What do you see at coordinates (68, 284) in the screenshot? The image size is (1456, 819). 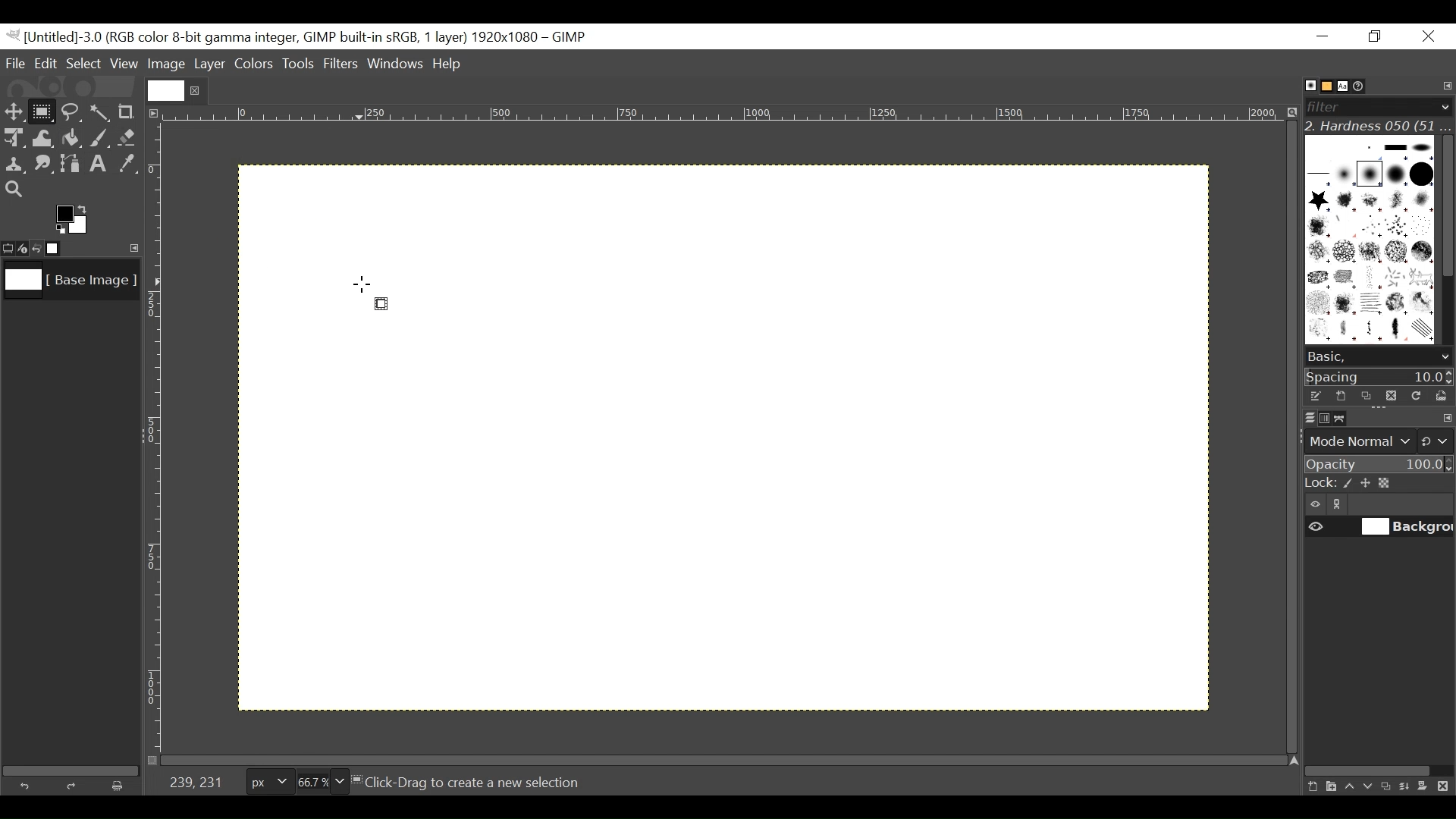 I see `Image` at bounding box center [68, 284].